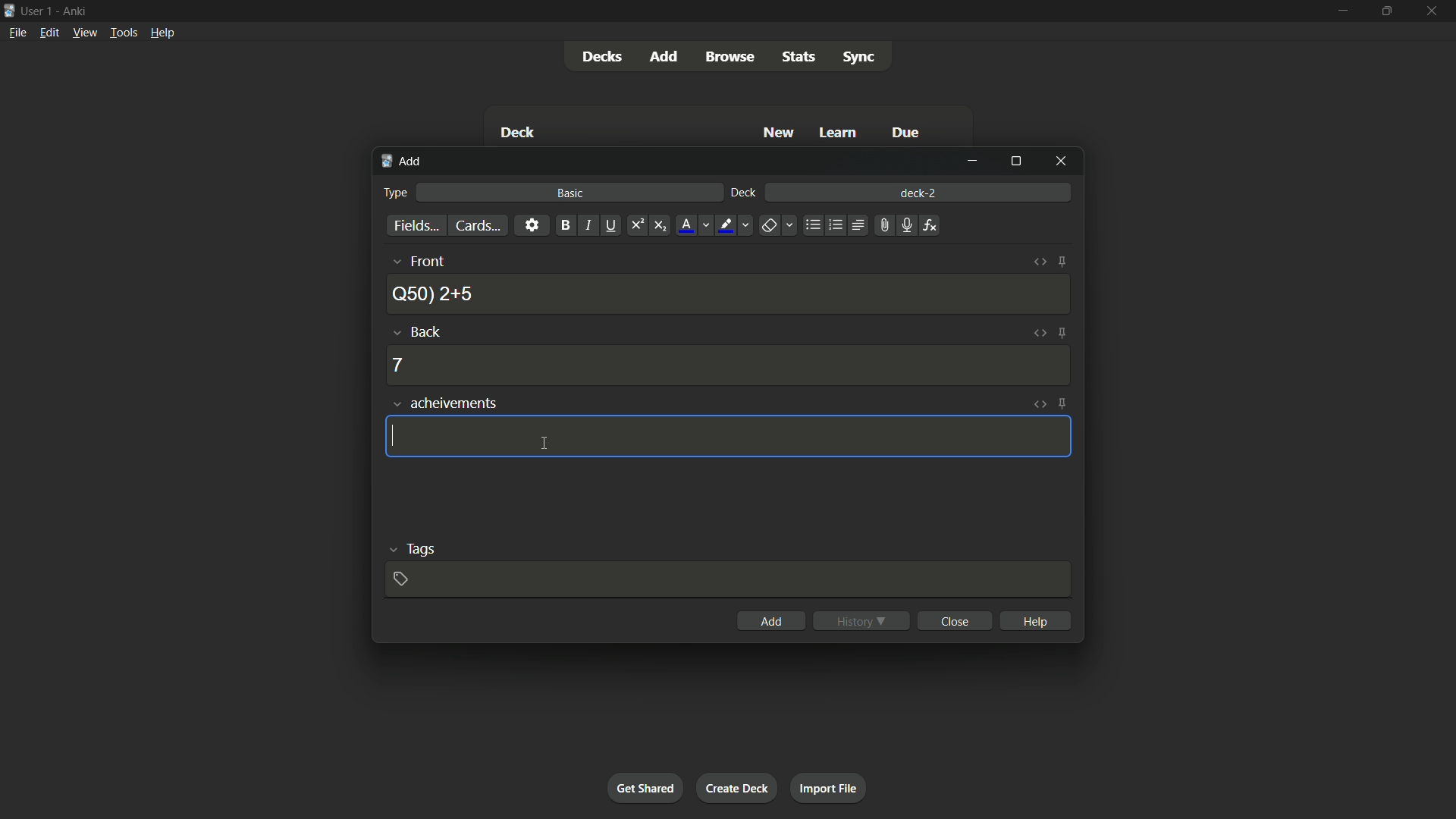 This screenshot has width=1456, height=819. What do you see at coordinates (415, 226) in the screenshot?
I see `fields` at bounding box center [415, 226].